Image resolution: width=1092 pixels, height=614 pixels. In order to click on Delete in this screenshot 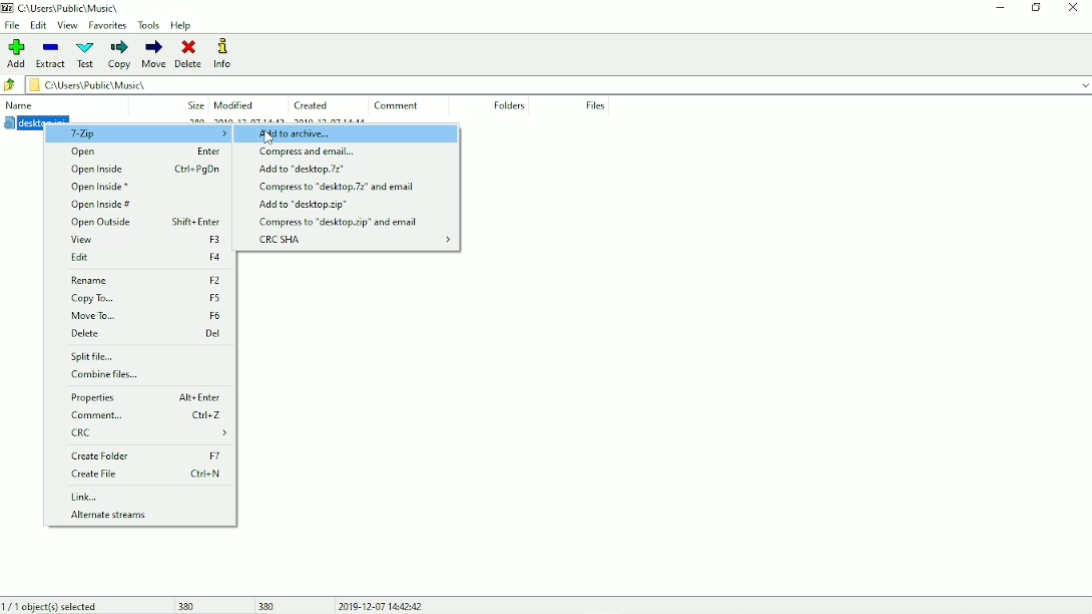, I will do `click(189, 54)`.